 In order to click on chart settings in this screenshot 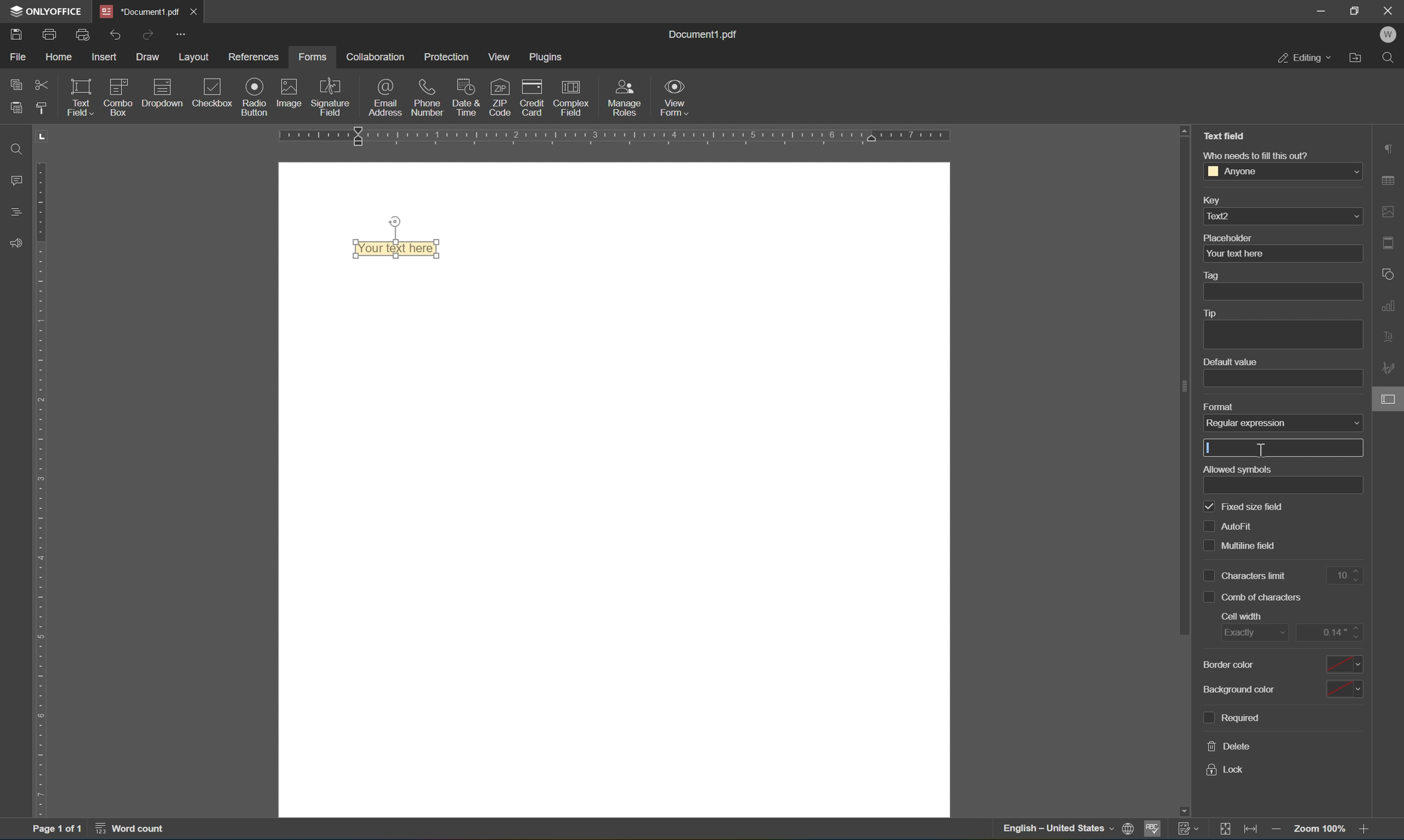, I will do `click(1389, 307)`.